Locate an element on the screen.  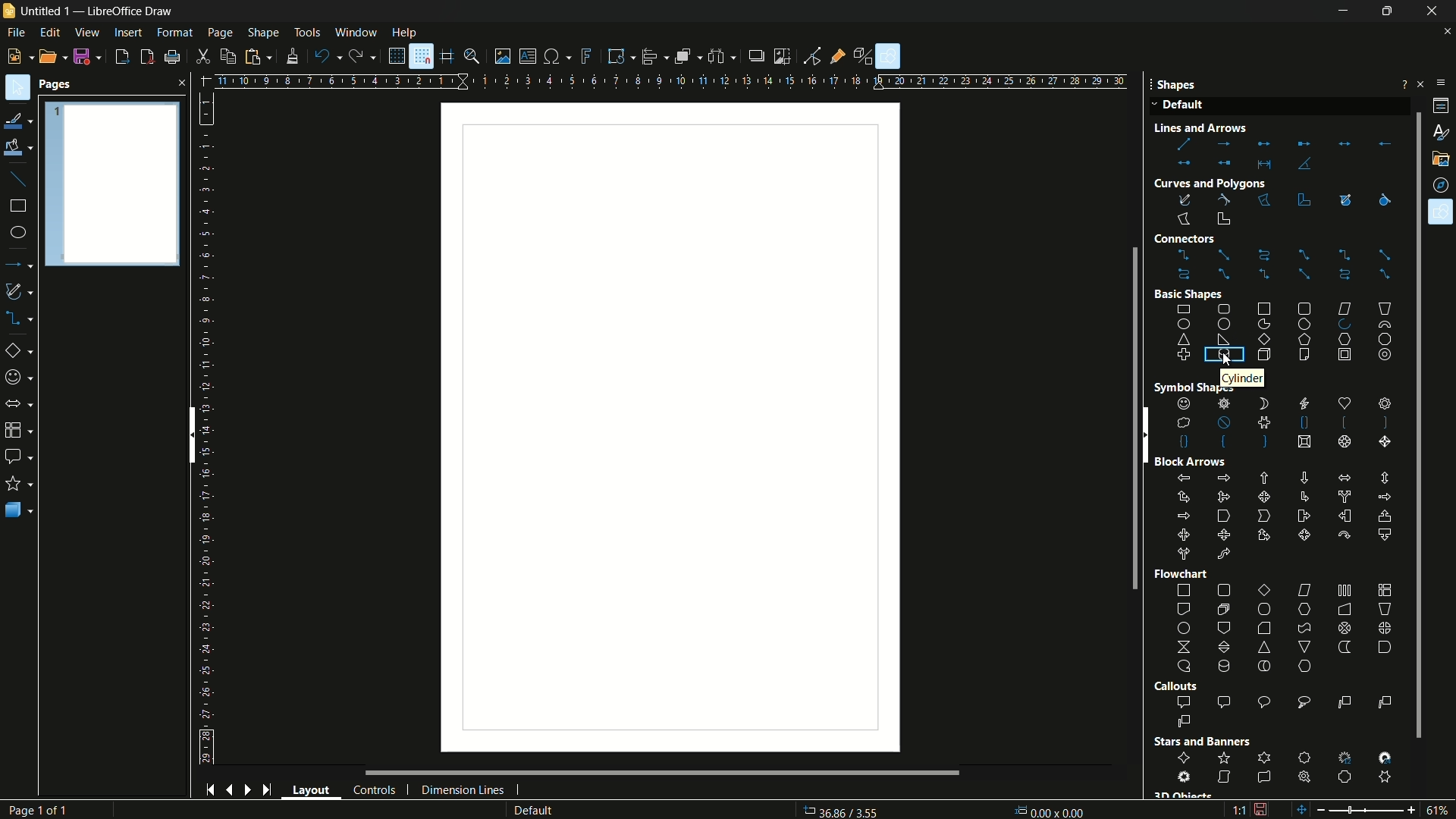
rectangle is located at coordinates (18, 206).